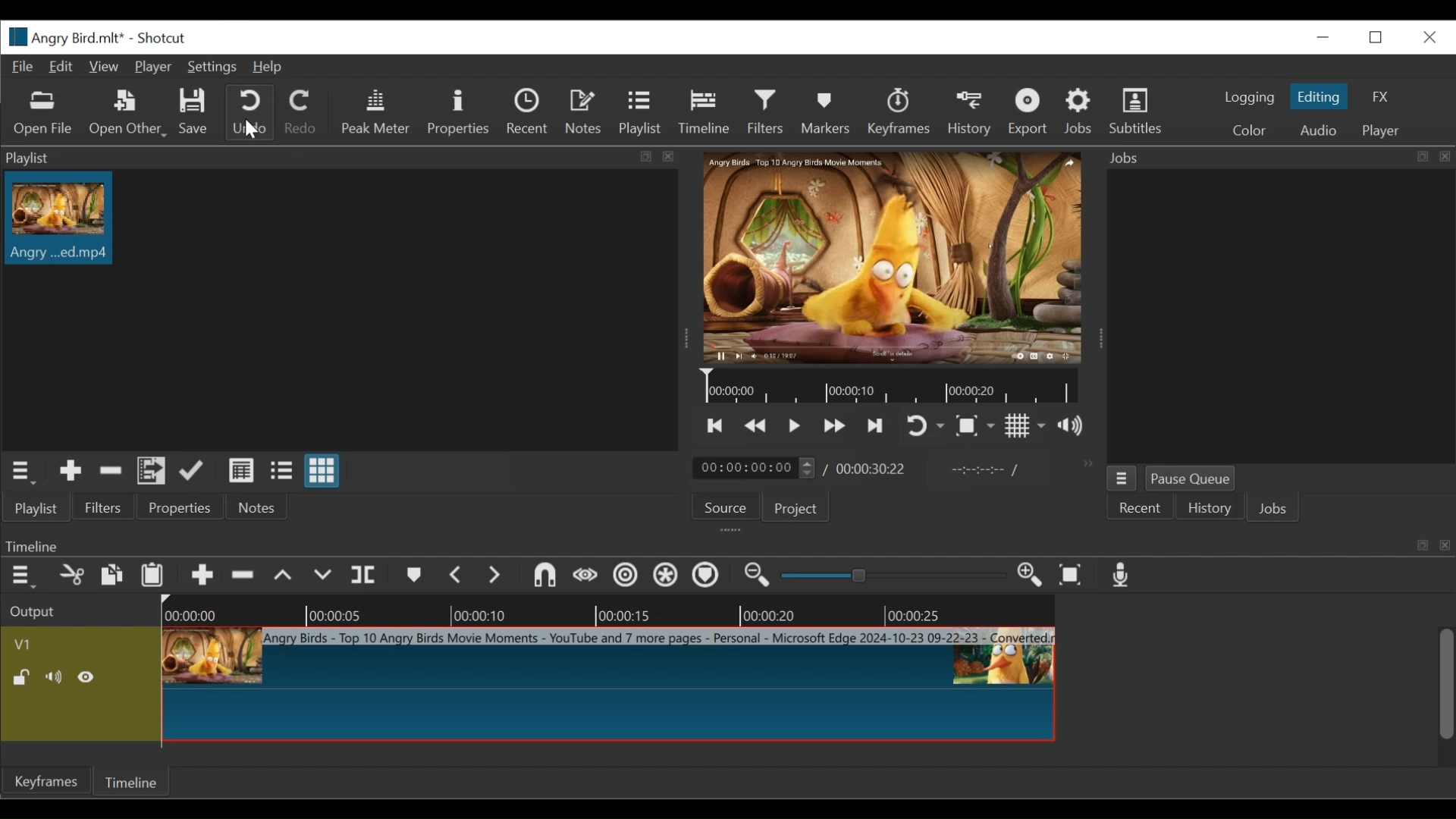 This screenshot has width=1456, height=819. Describe the element at coordinates (495, 576) in the screenshot. I see `Next marker` at that location.